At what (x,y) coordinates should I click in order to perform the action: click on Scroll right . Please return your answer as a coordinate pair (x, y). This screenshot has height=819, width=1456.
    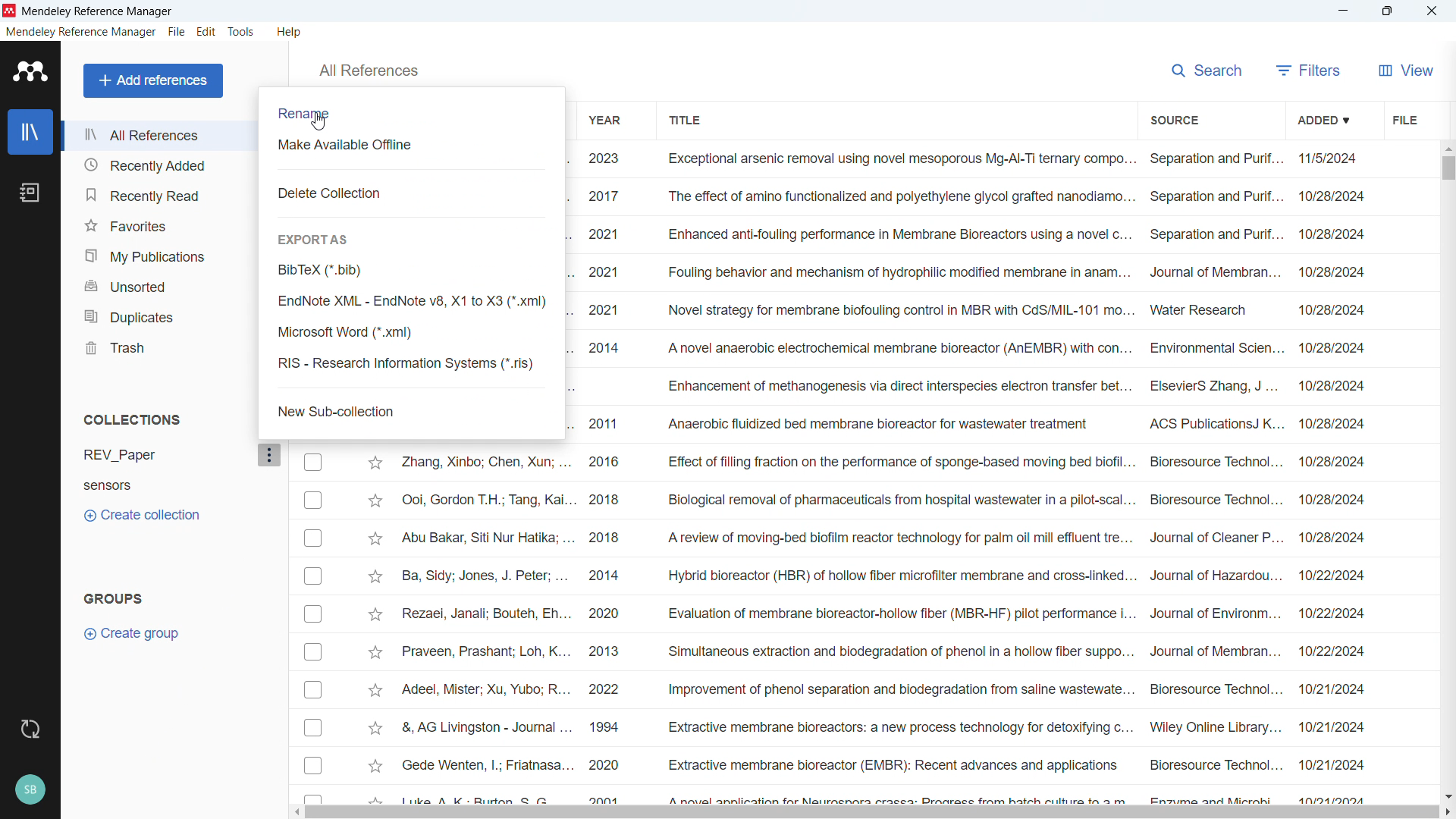
    Looking at the image, I should click on (1447, 812).